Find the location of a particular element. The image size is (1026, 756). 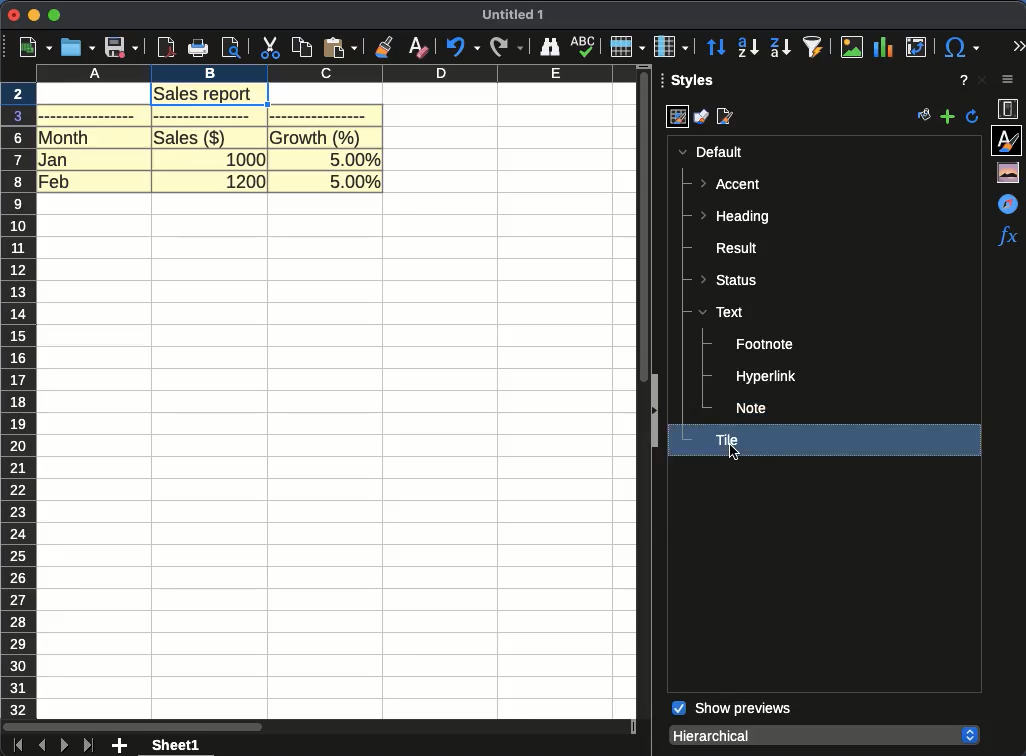

UNTITLED 1 is located at coordinates (513, 16).